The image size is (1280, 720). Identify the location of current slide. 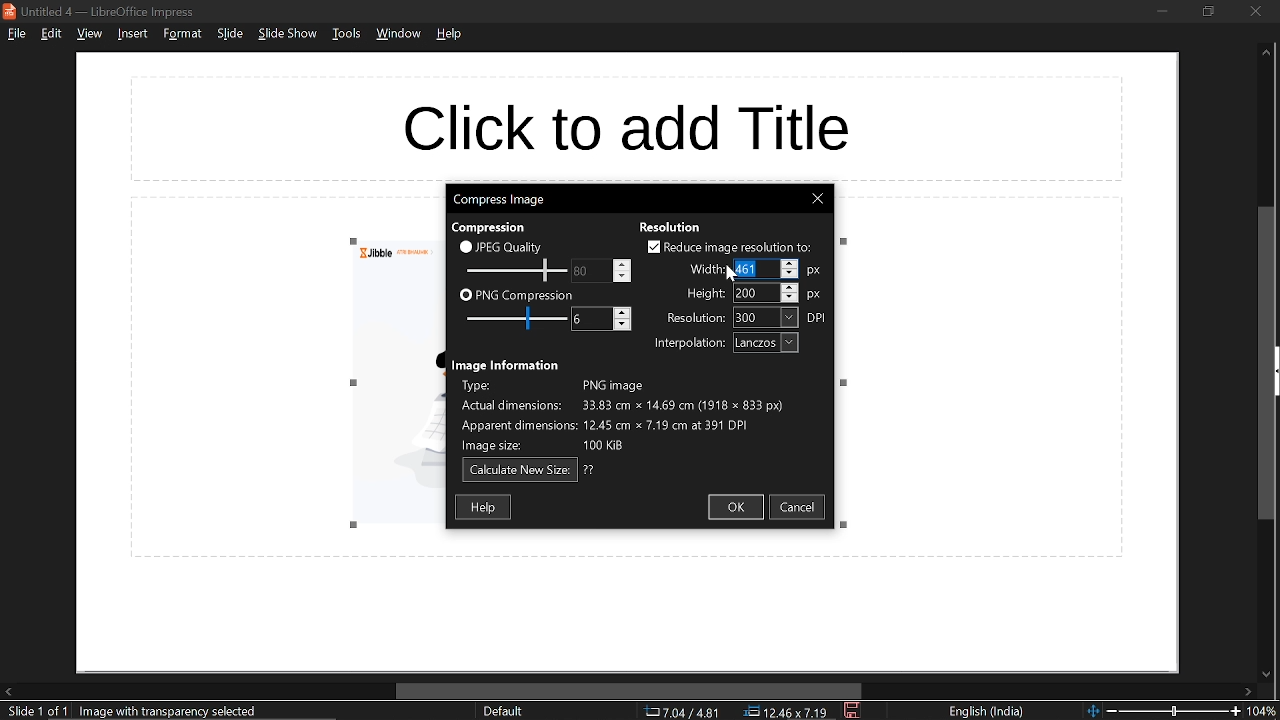
(33, 712).